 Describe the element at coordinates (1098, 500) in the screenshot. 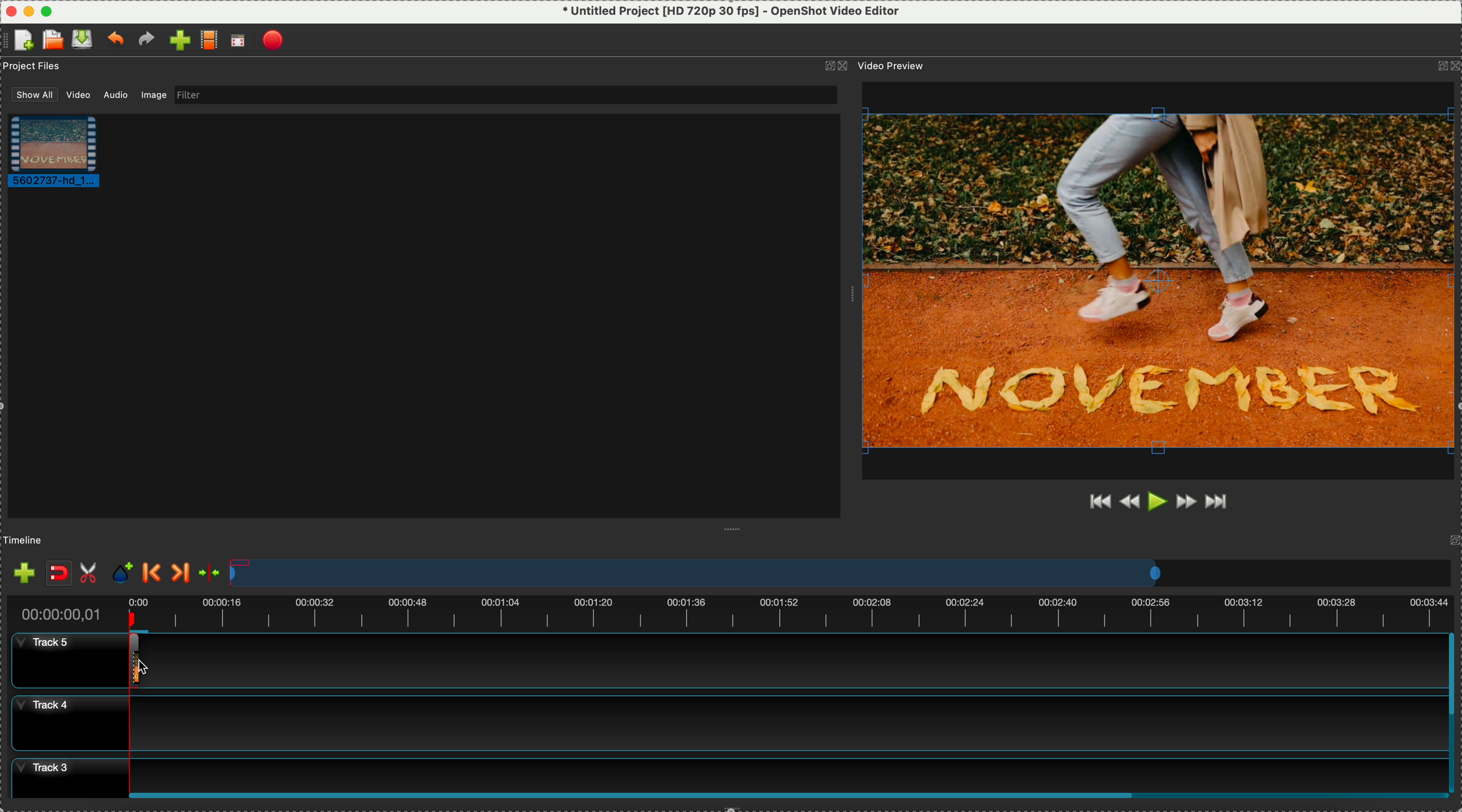

I see `jump to start` at that location.